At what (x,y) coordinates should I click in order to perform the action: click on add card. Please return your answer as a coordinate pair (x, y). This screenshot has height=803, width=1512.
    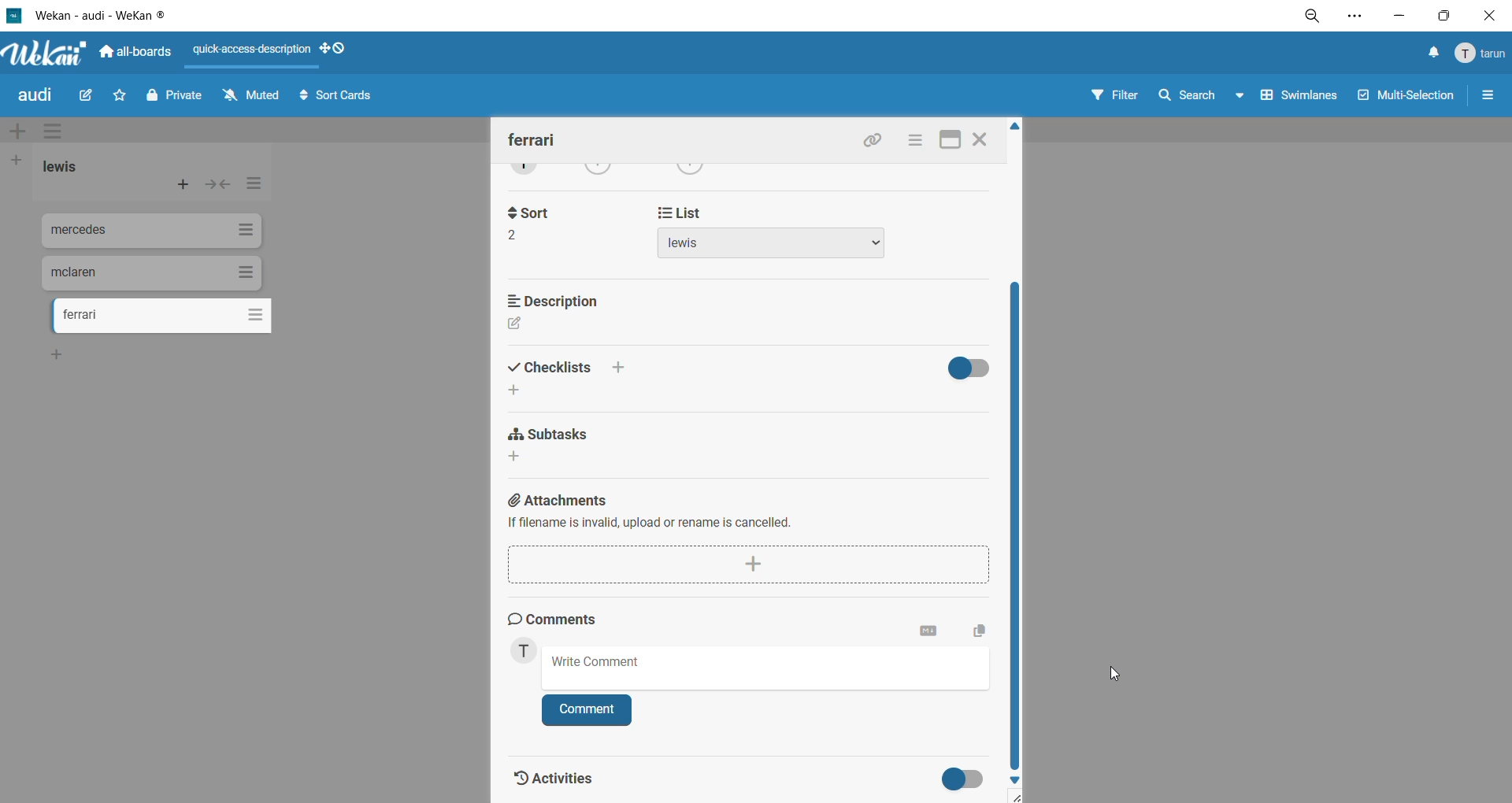
    Looking at the image, I should click on (180, 183).